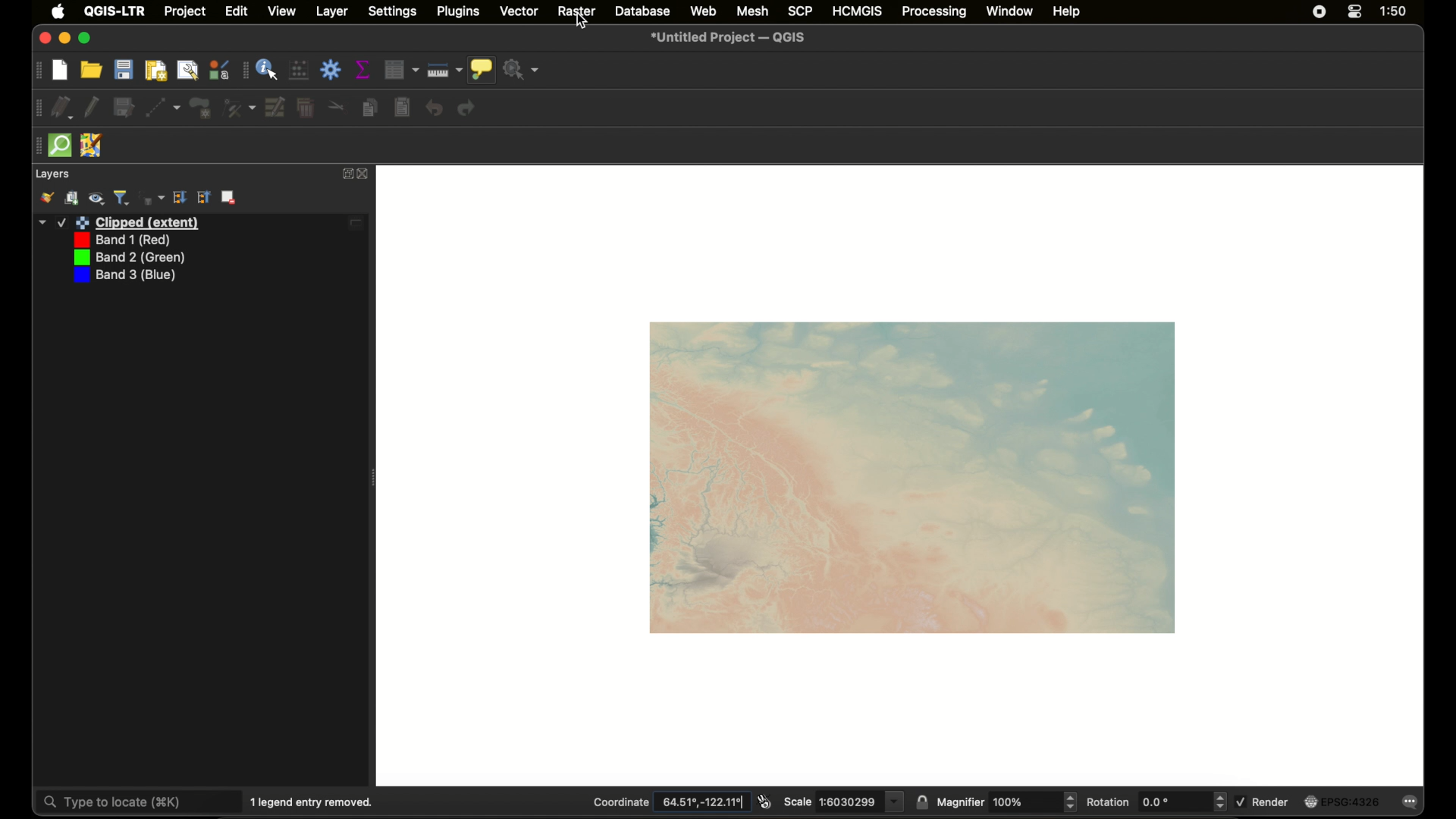 The width and height of the screenshot is (1456, 819). I want to click on polygon feature, so click(200, 108).